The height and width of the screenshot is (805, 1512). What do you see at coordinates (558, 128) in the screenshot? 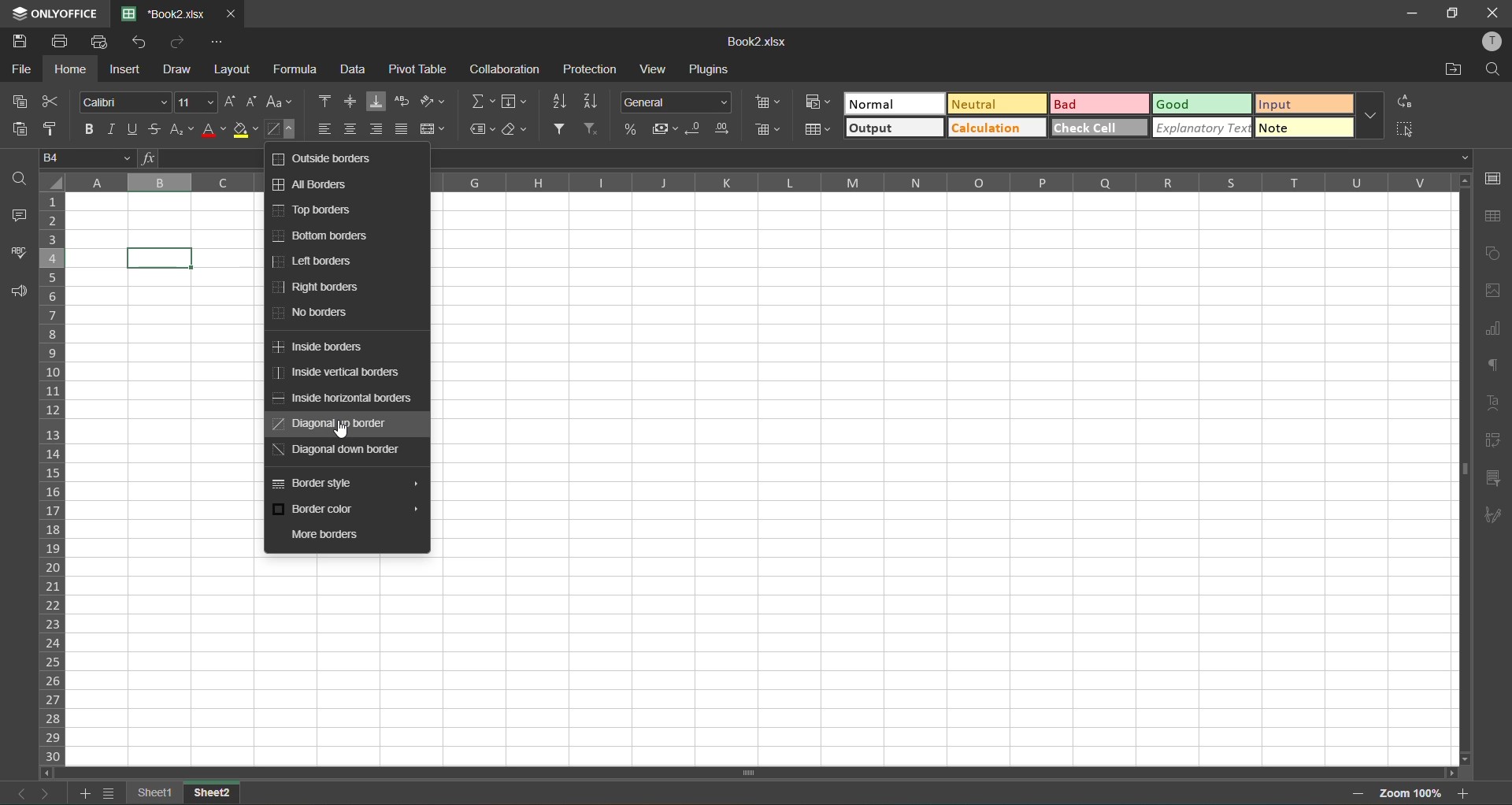
I see `filter` at bounding box center [558, 128].